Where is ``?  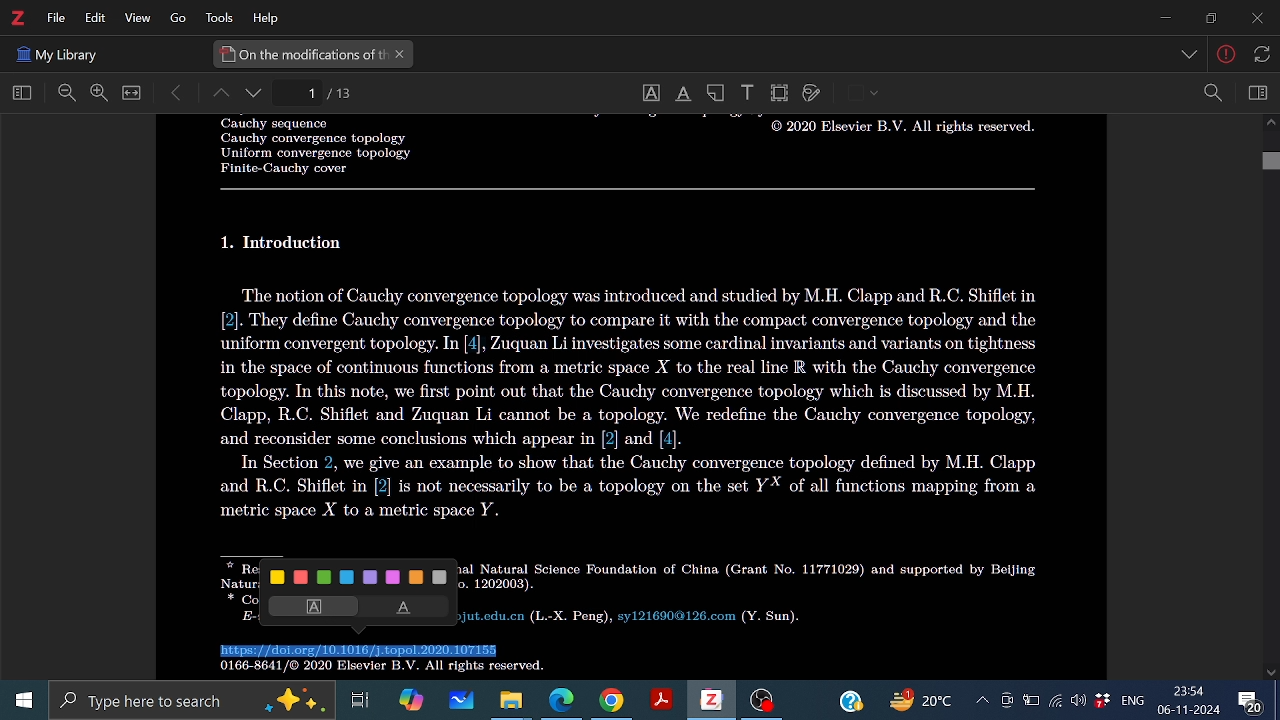  is located at coordinates (1191, 56).